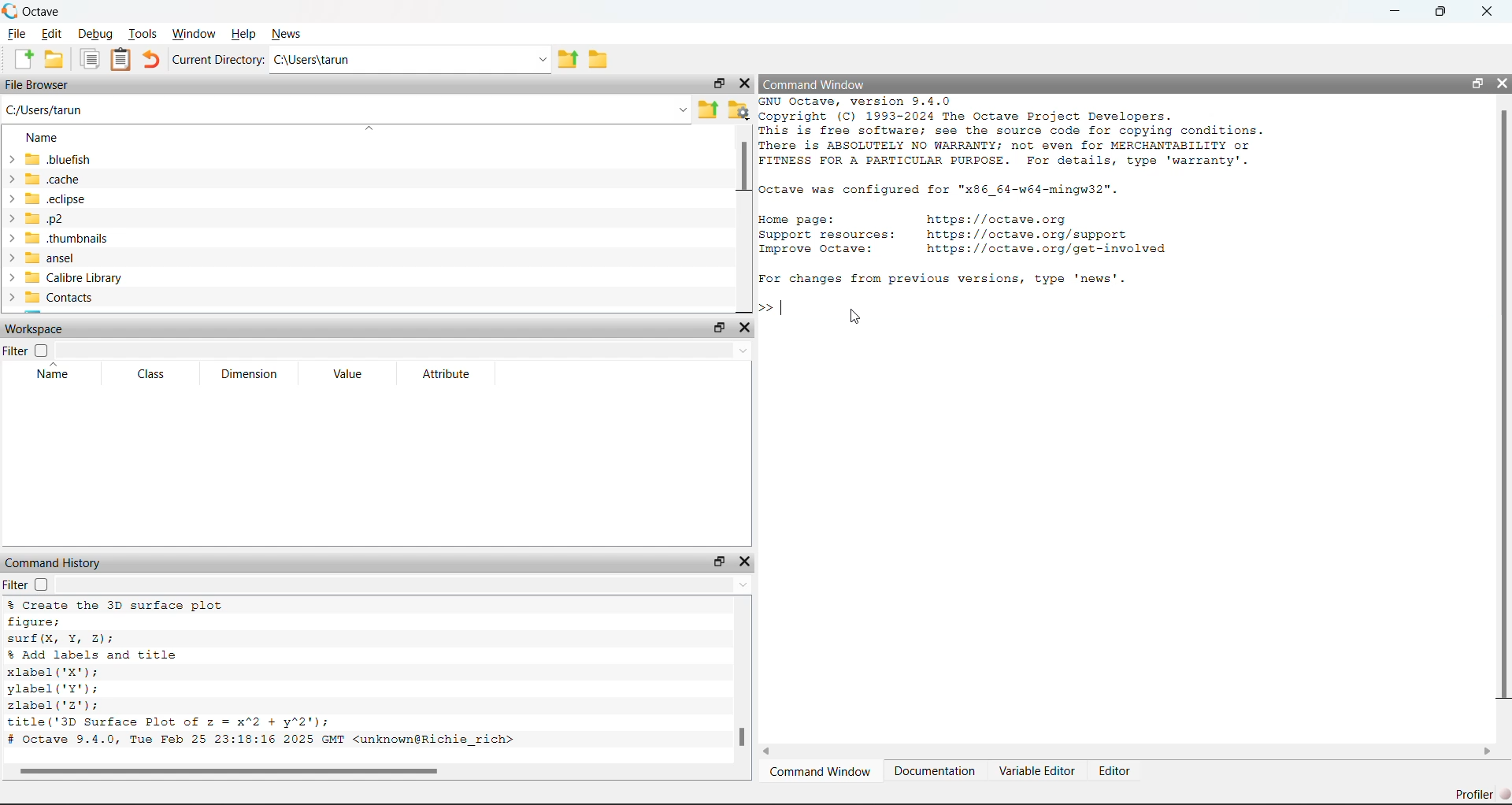 The image size is (1512, 805). What do you see at coordinates (219, 59) in the screenshot?
I see `Current Directory:` at bounding box center [219, 59].